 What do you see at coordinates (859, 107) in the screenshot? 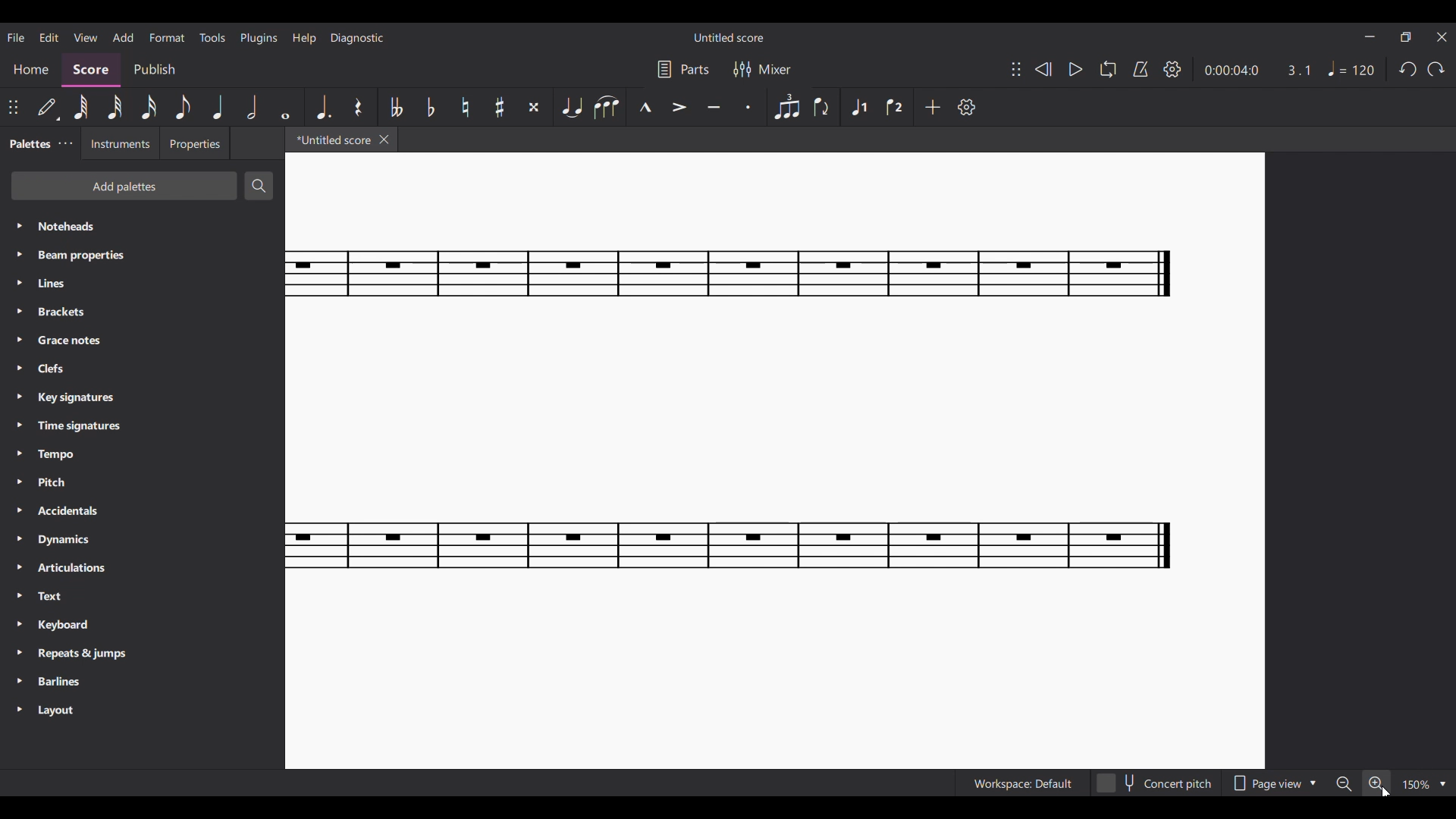
I see `Voice 1` at bounding box center [859, 107].